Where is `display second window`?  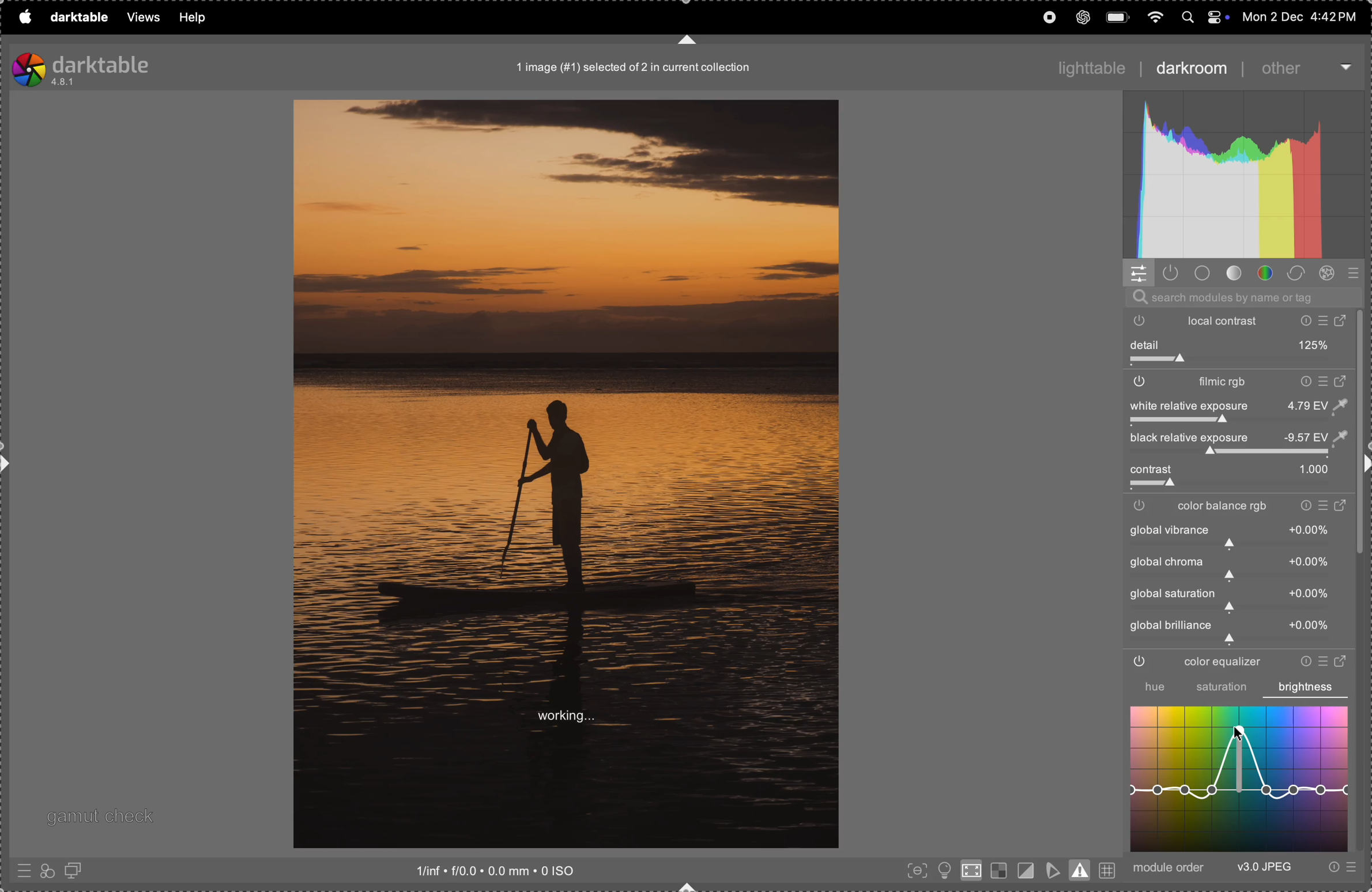
display second window is located at coordinates (78, 870).